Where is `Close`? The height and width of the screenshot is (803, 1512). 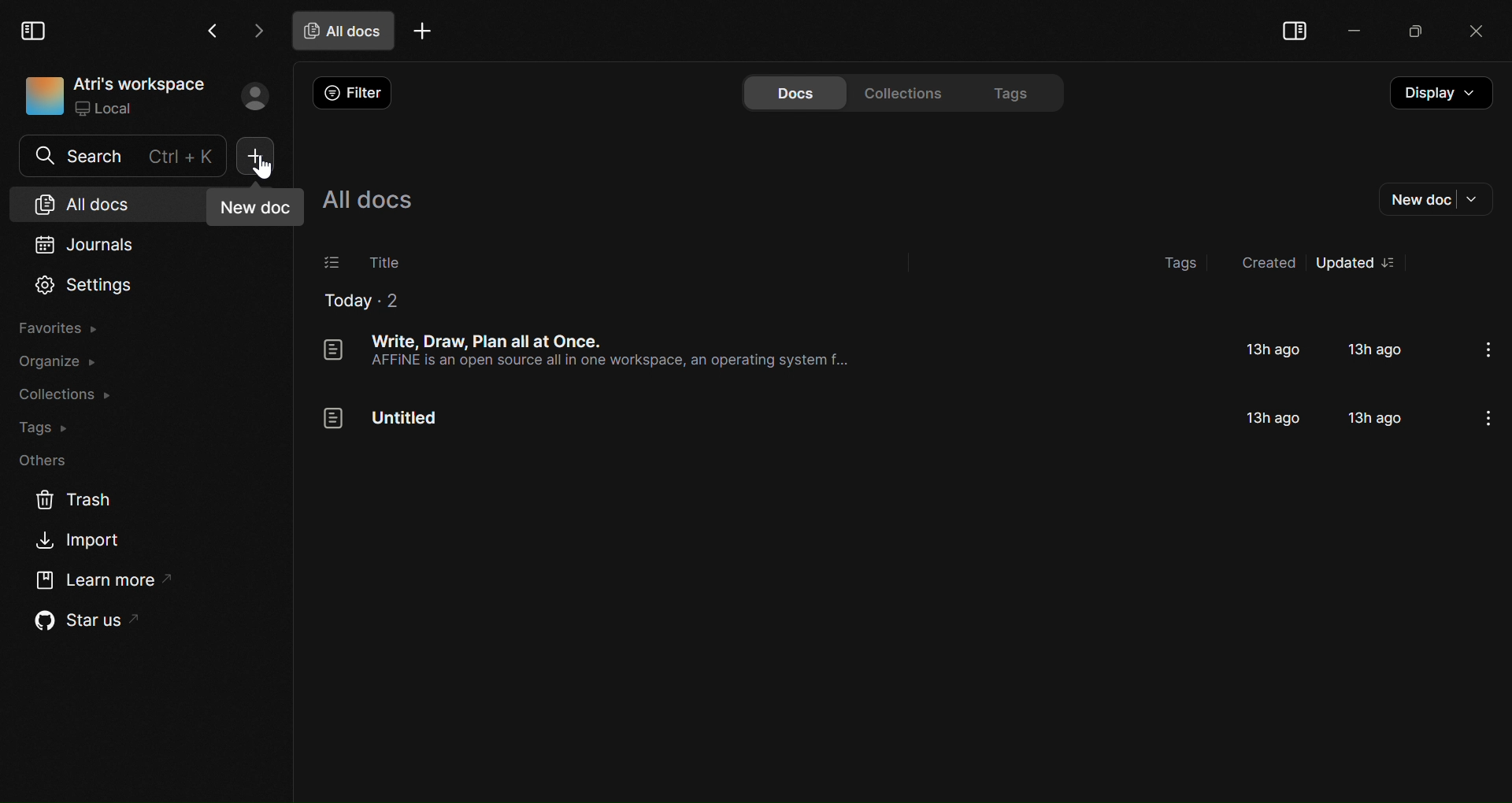 Close is located at coordinates (1470, 33).